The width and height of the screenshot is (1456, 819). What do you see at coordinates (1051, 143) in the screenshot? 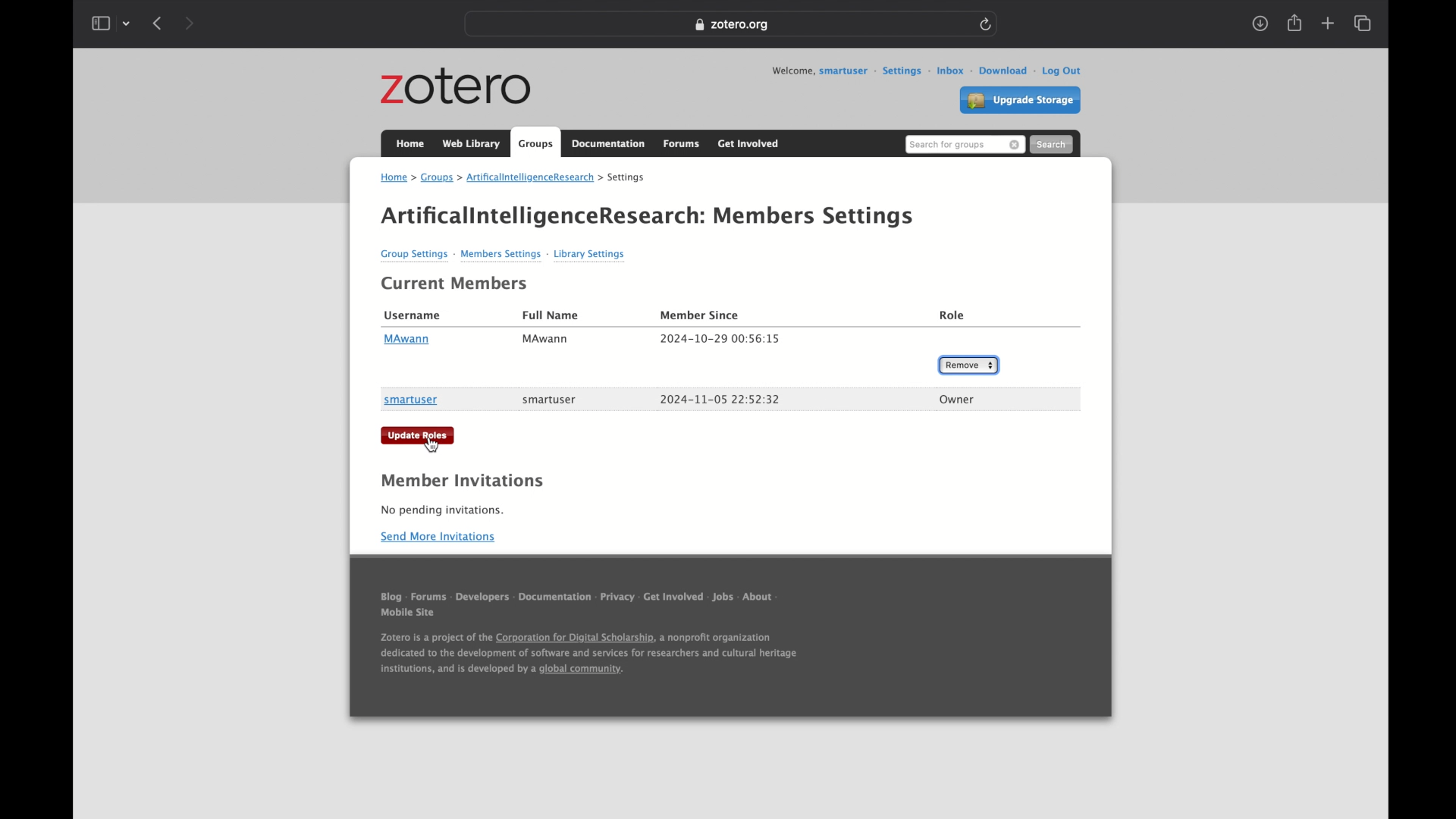
I see `search` at bounding box center [1051, 143].